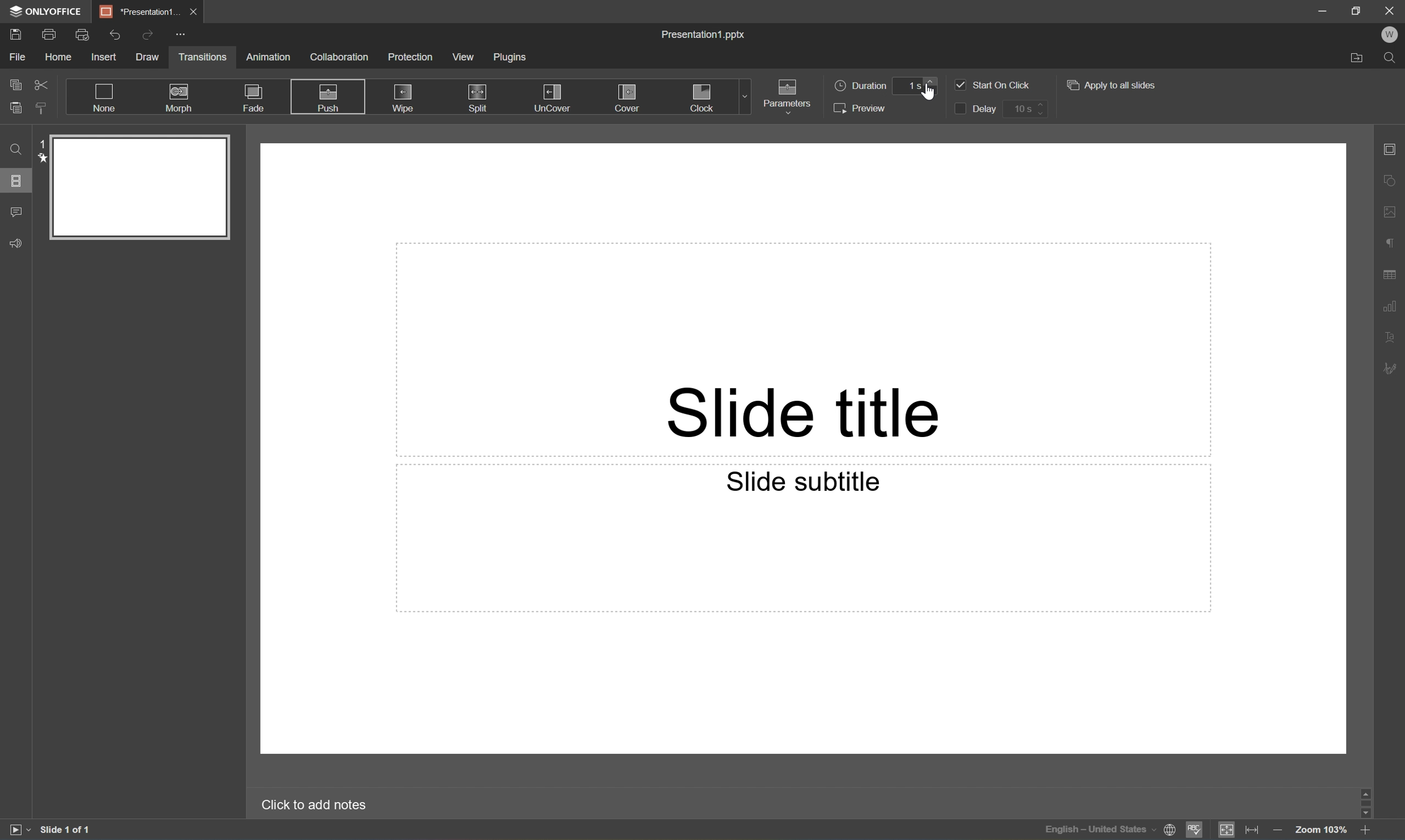 The image size is (1405, 840). Describe the element at coordinates (1024, 109) in the screenshot. I see `10 s` at that location.